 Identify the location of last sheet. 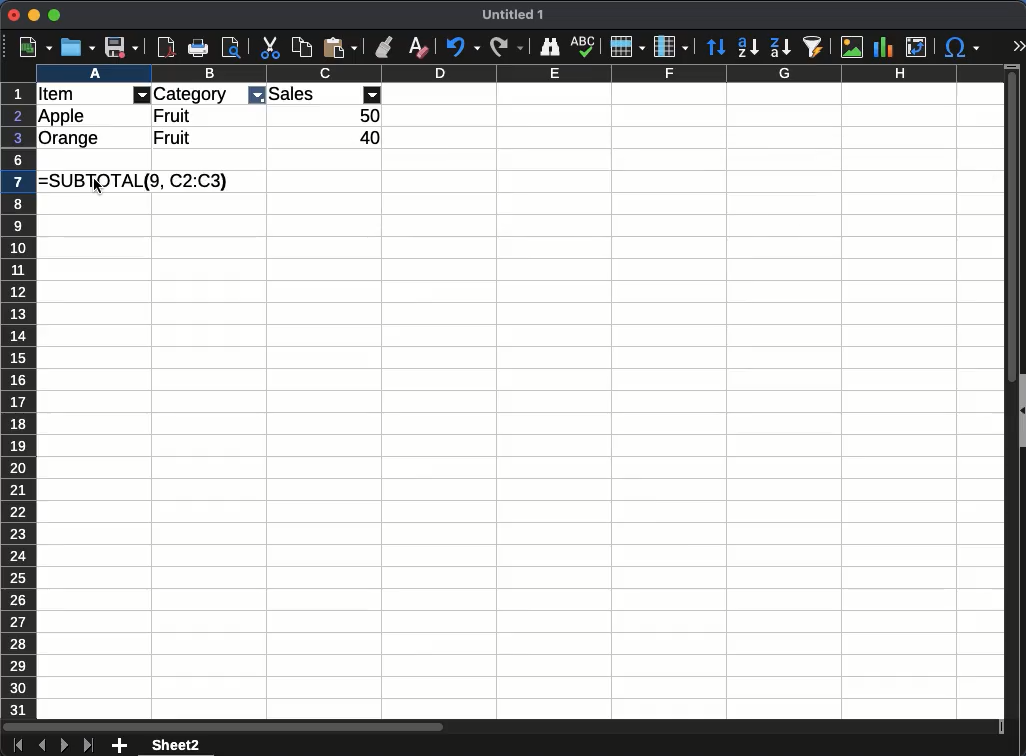
(88, 746).